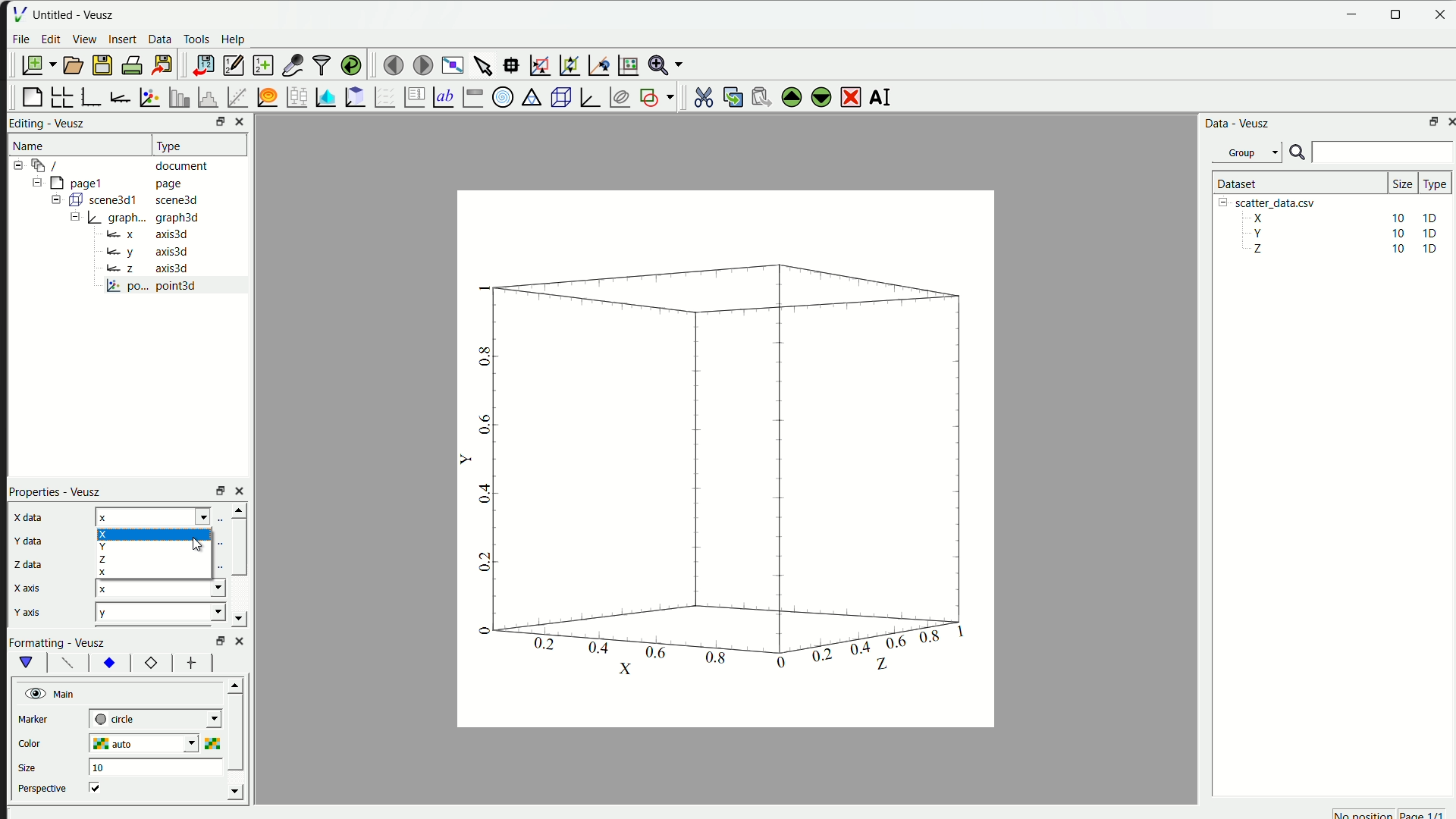  What do you see at coordinates (1247, 154) in the screenshot?
I see `Group ` at bounding box center [1247, 154].